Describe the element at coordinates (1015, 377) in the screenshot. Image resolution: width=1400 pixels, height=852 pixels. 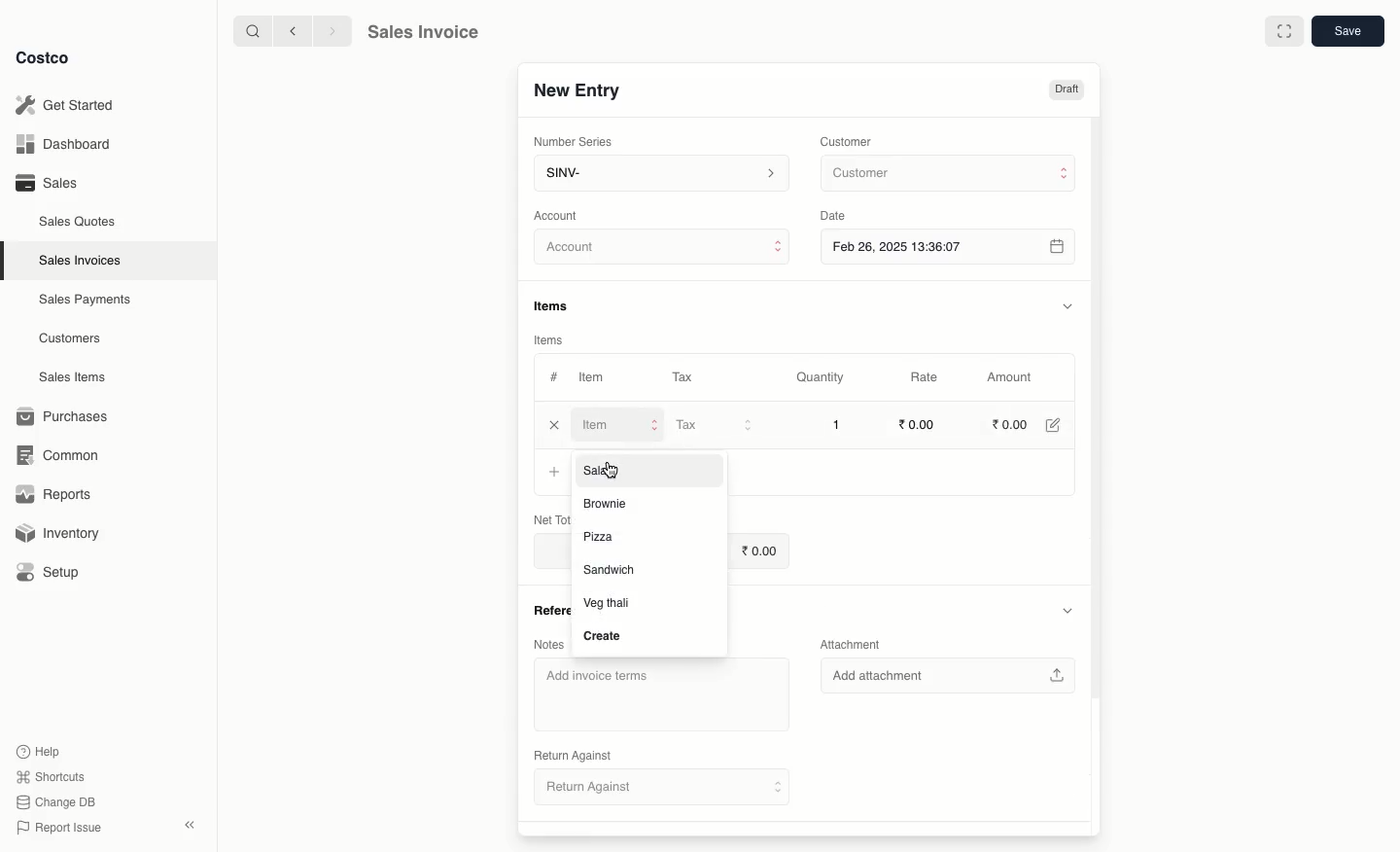
I see `Amount` at that location.